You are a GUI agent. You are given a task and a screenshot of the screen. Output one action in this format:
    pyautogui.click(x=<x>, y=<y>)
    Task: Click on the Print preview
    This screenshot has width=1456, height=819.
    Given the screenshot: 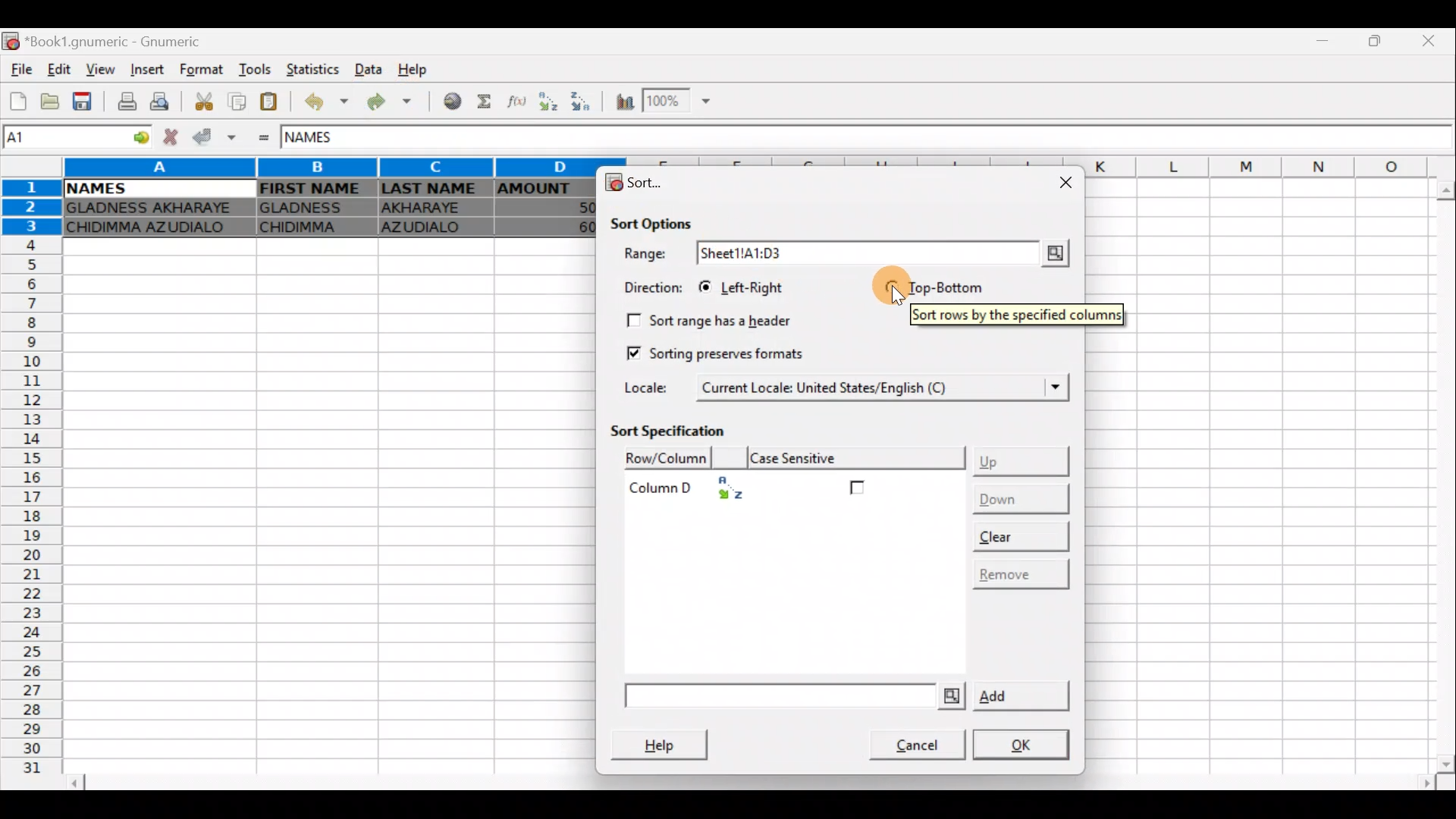 What is the action you would take?
    pyautogui.click(x=163, y=100)
    